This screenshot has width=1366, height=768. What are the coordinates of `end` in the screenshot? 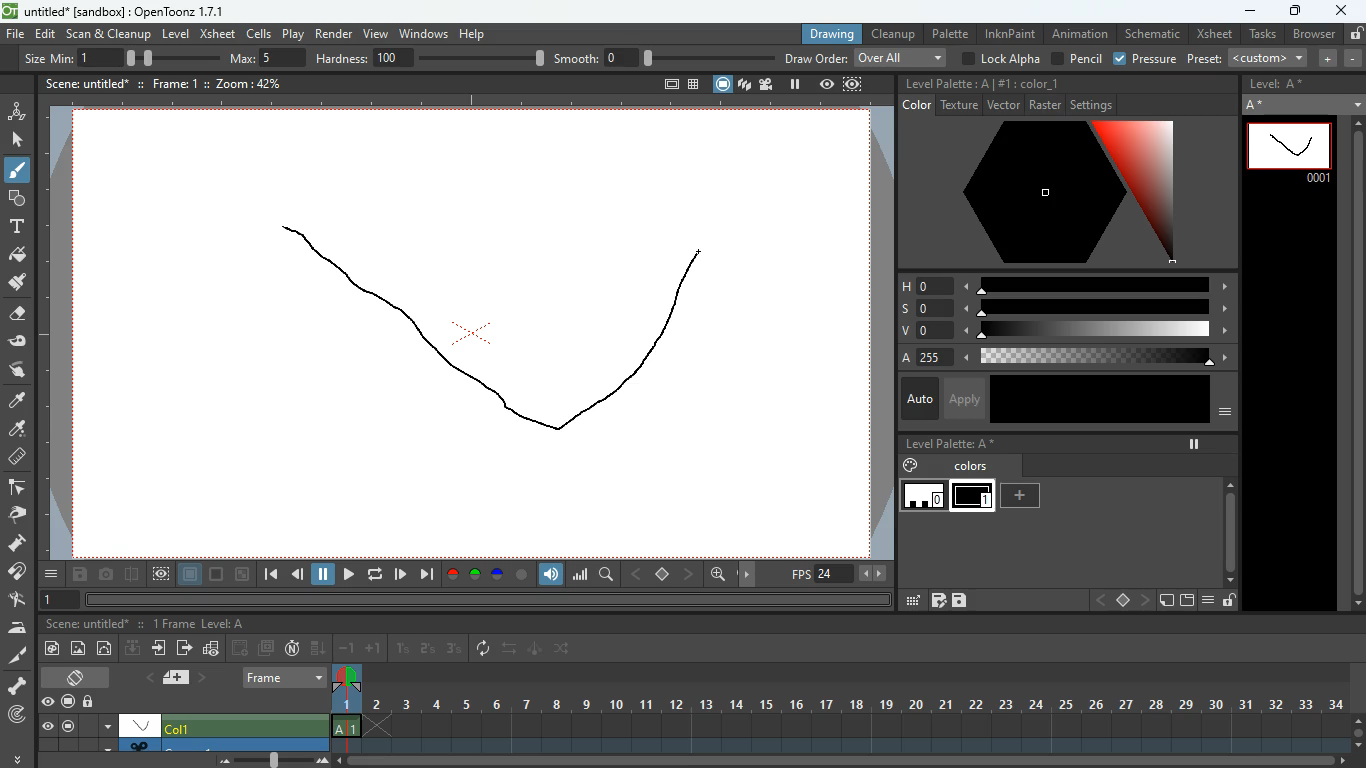 It's located at (426, 574).